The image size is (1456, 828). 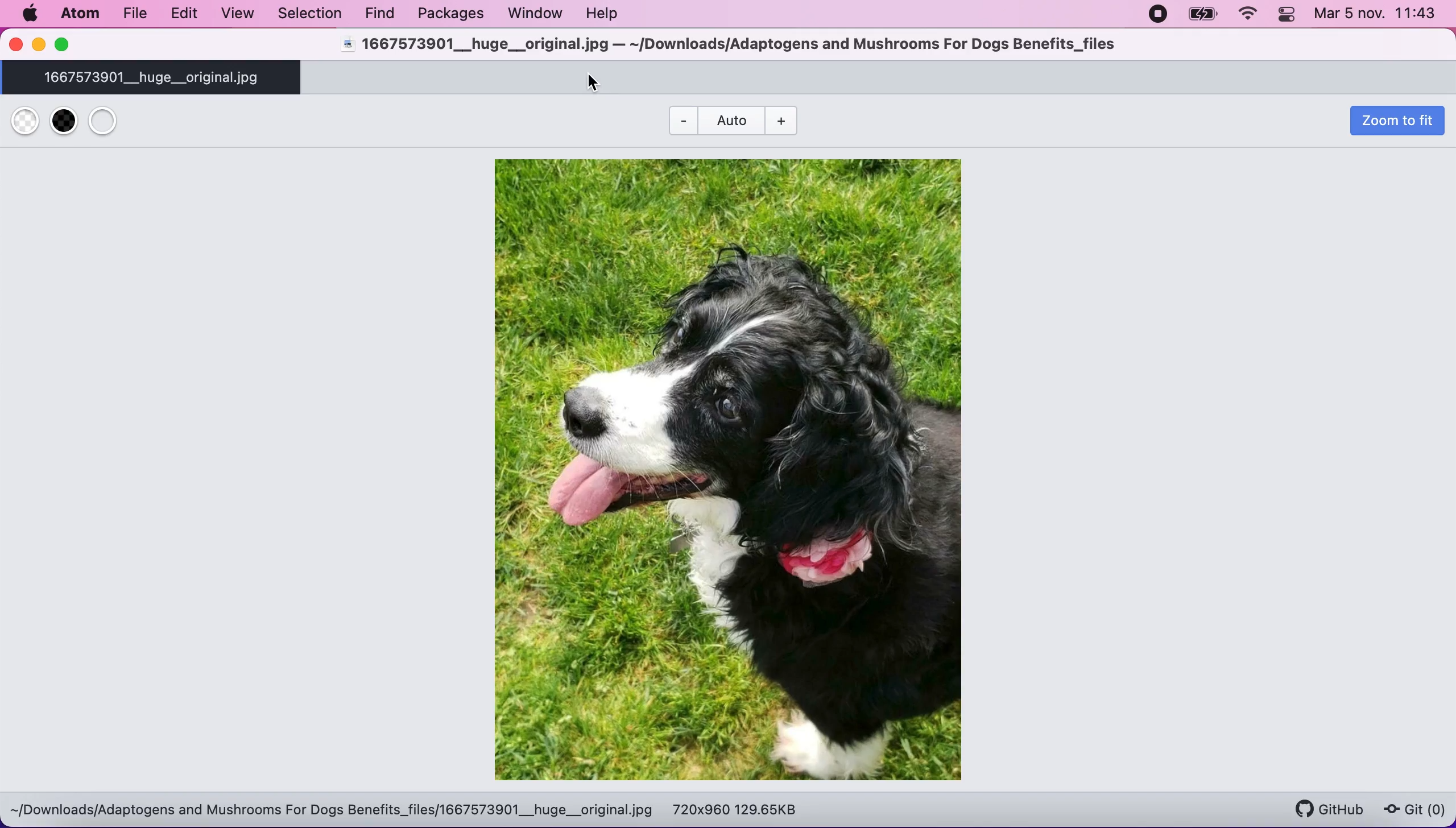 What do you see at coordinates (726, 45) in the screenshot?
I see `1667573901__huge__original.jpg — ~/Downloads/Adaptogens and Mushrooms For Dogs Benefits_files` at bounding box center [726, 45].